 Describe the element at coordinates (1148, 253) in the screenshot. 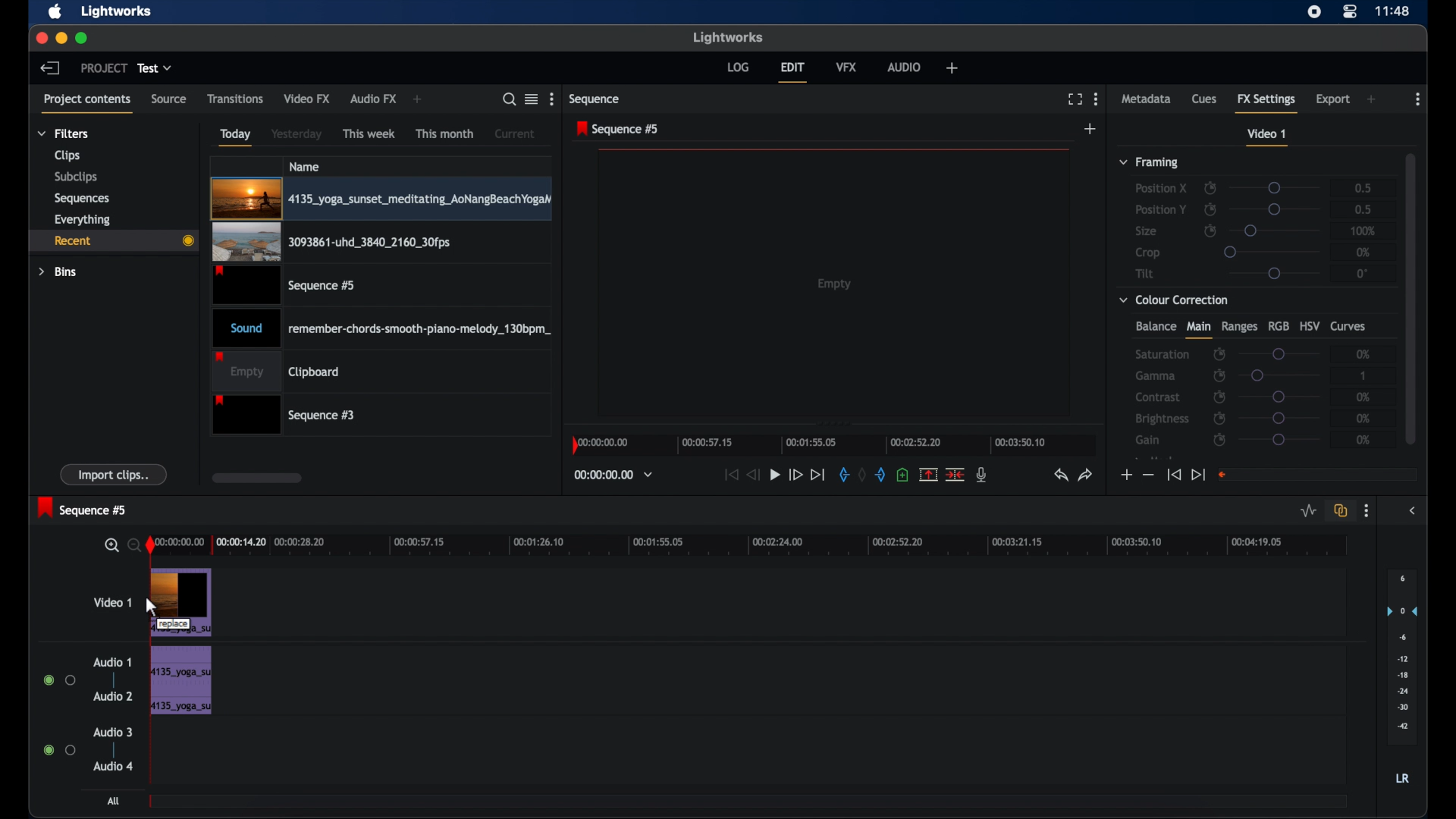

I see `crop` at that location.